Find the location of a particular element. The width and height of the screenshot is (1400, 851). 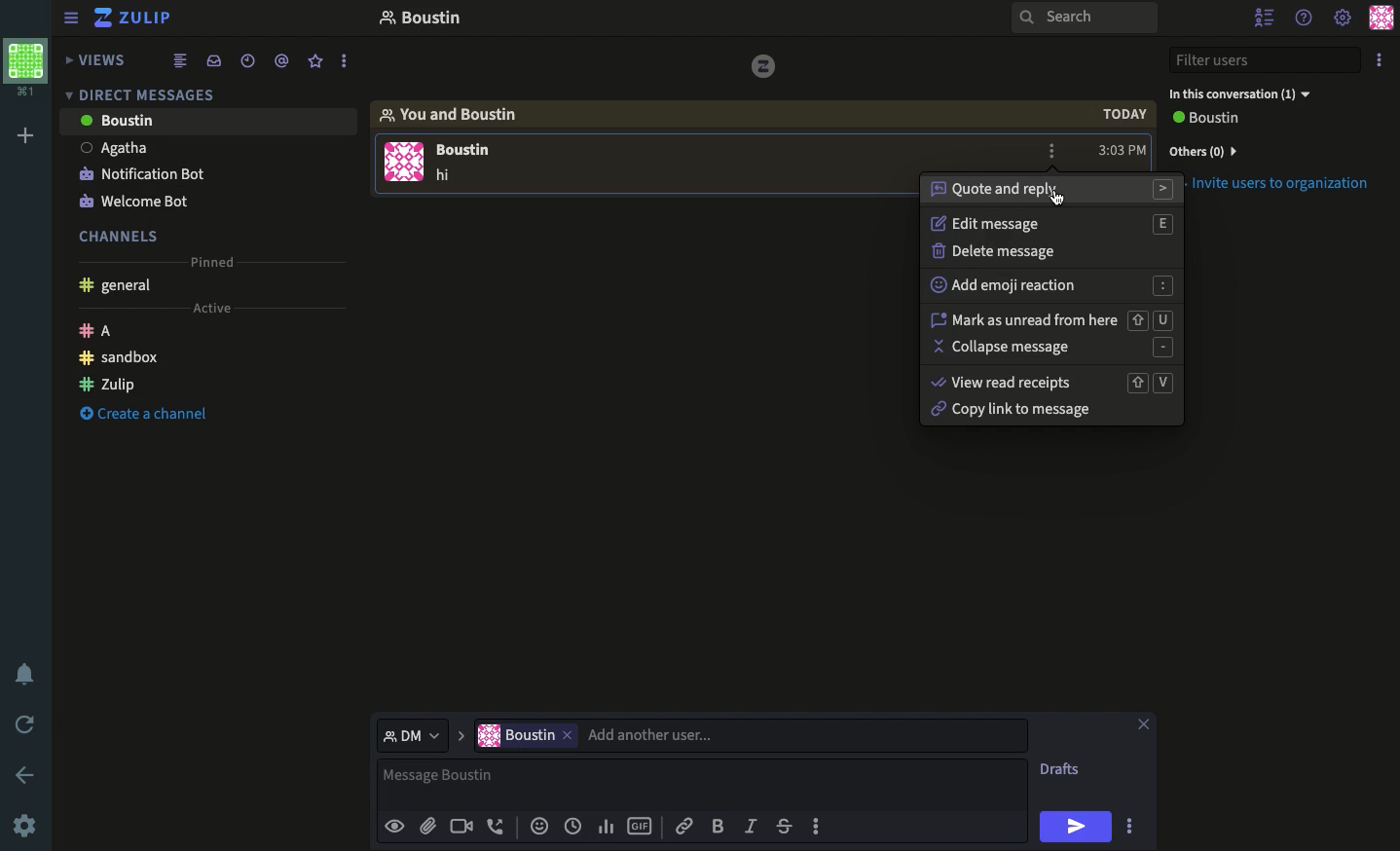

Phone call is located at coordinates (500, 827).